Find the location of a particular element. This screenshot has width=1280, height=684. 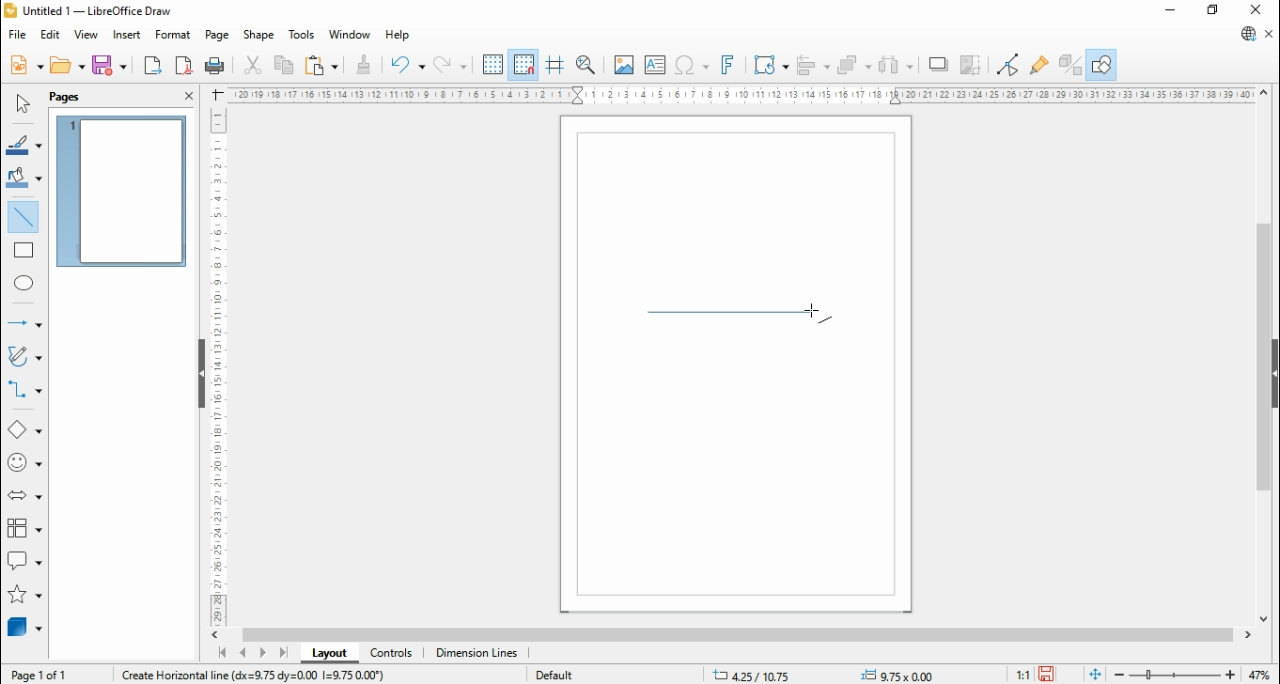

cut is located at coordinates (254, 66).